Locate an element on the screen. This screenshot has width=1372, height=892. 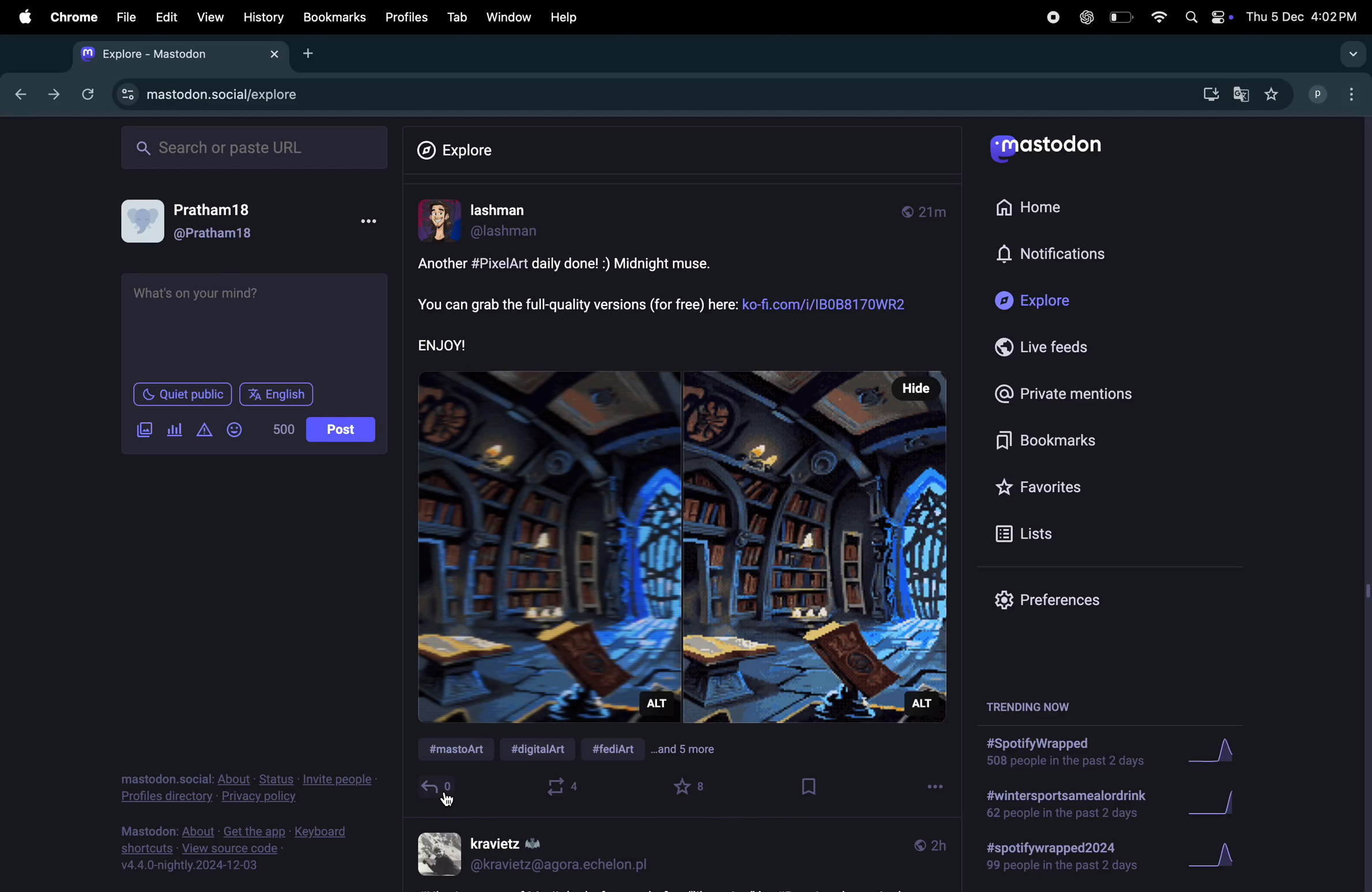
textbox is located at coordinates (256, 323).